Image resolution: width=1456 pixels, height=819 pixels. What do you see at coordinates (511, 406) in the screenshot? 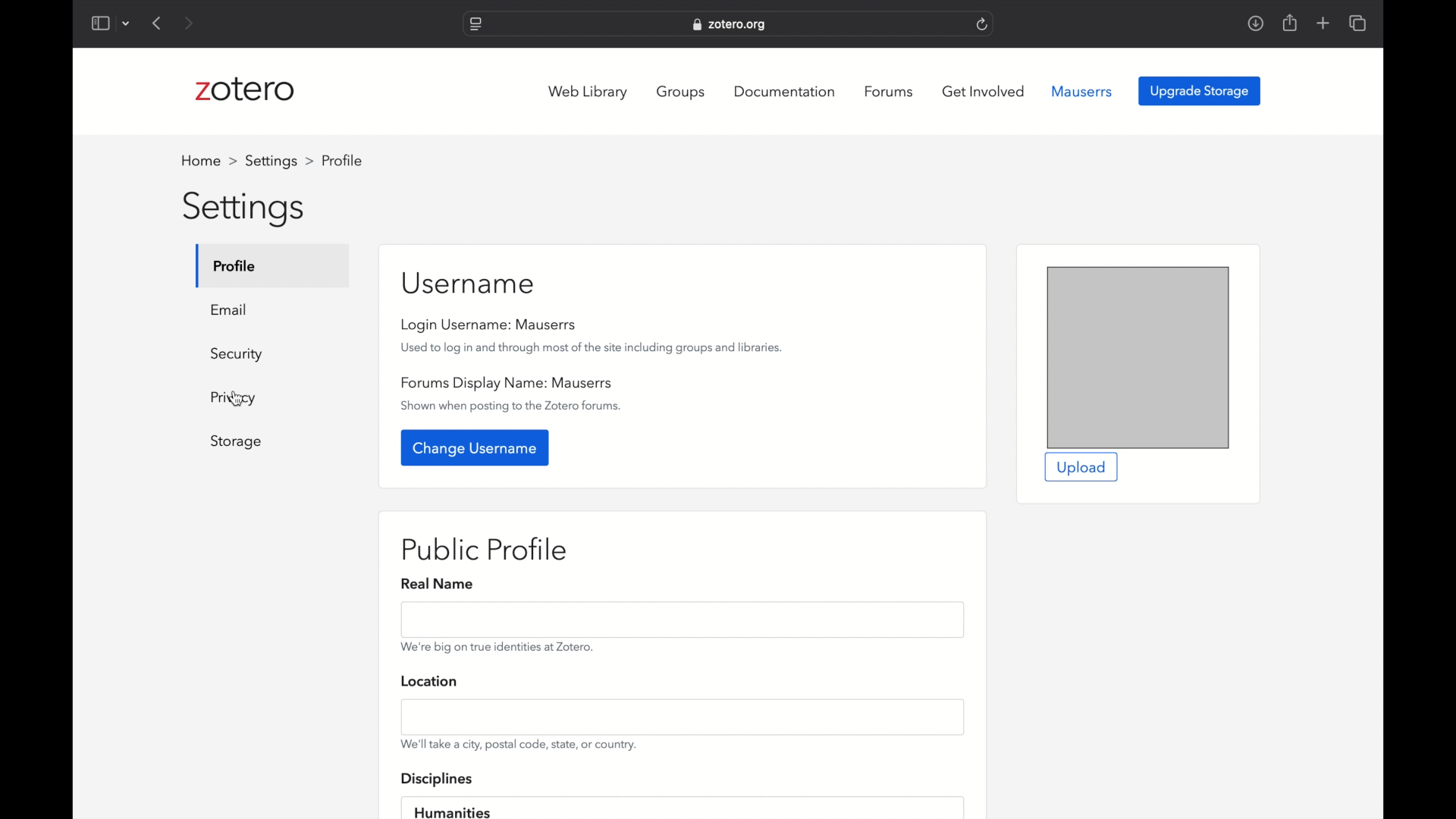
I see `show when posting to the zotero forums` at bounding box center [511, 406].